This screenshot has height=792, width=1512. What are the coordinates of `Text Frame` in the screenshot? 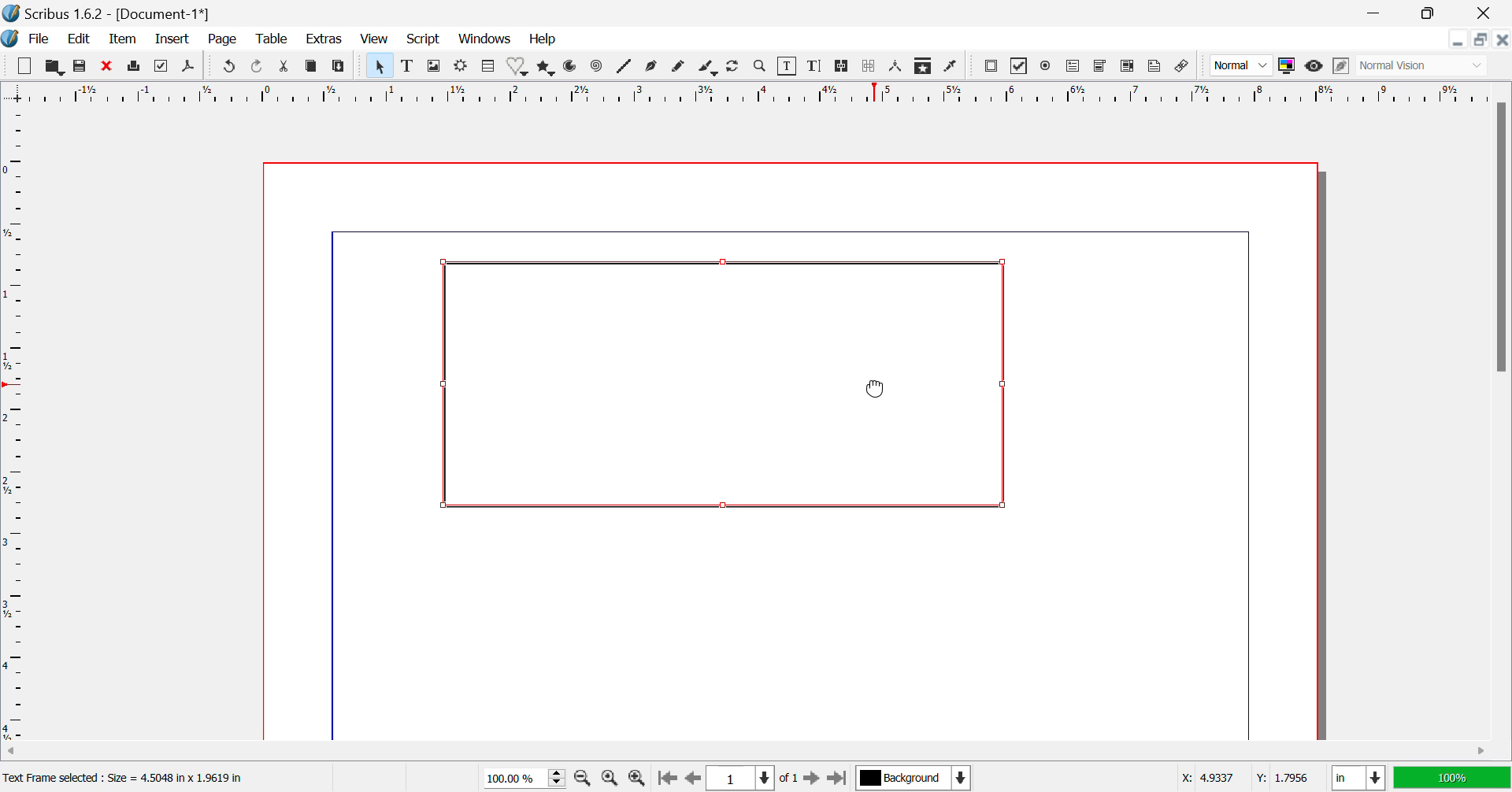 It's located at (408, 68).